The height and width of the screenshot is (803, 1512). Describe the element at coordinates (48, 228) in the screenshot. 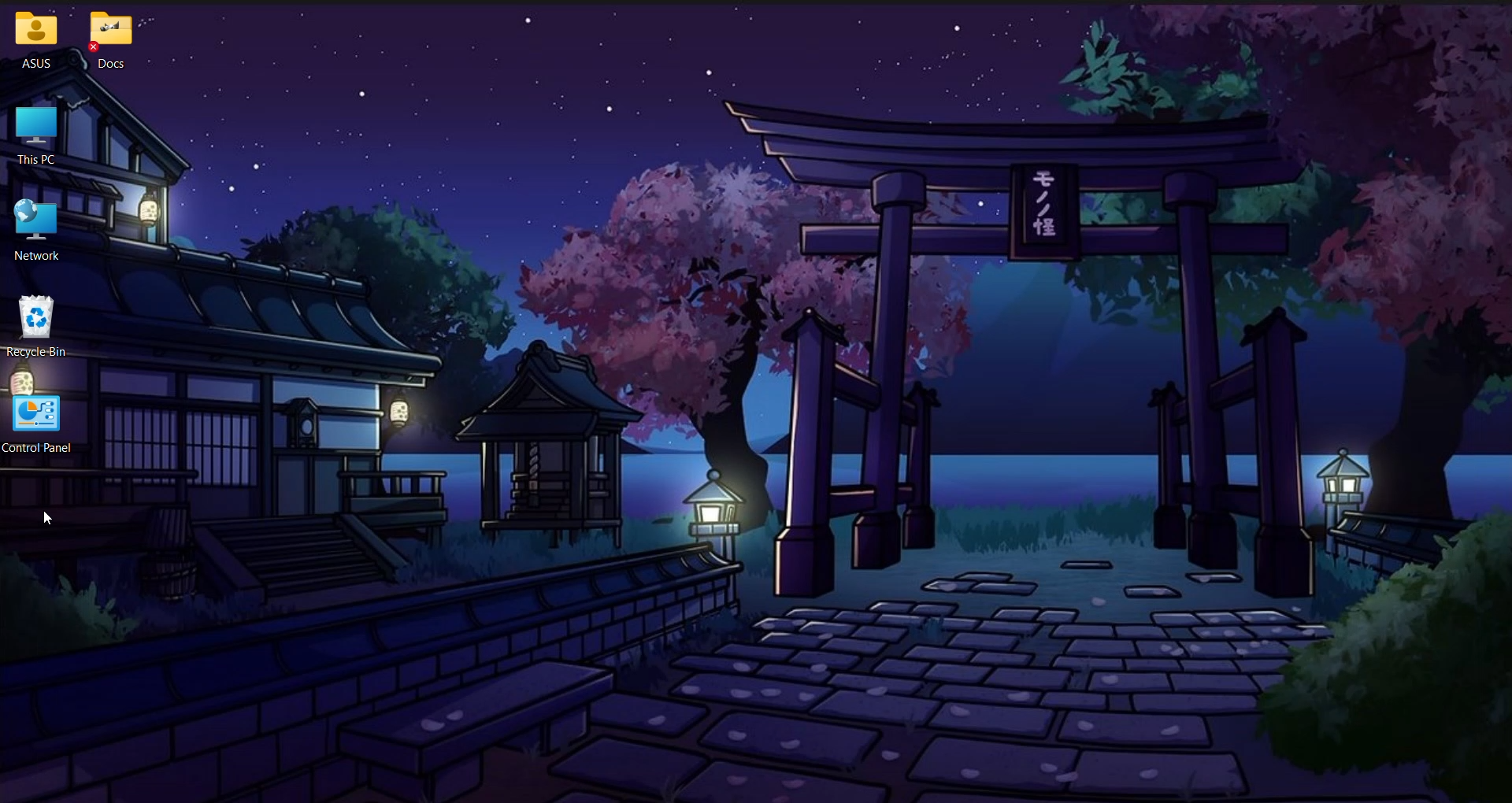

I see `£2
Network` at that location.